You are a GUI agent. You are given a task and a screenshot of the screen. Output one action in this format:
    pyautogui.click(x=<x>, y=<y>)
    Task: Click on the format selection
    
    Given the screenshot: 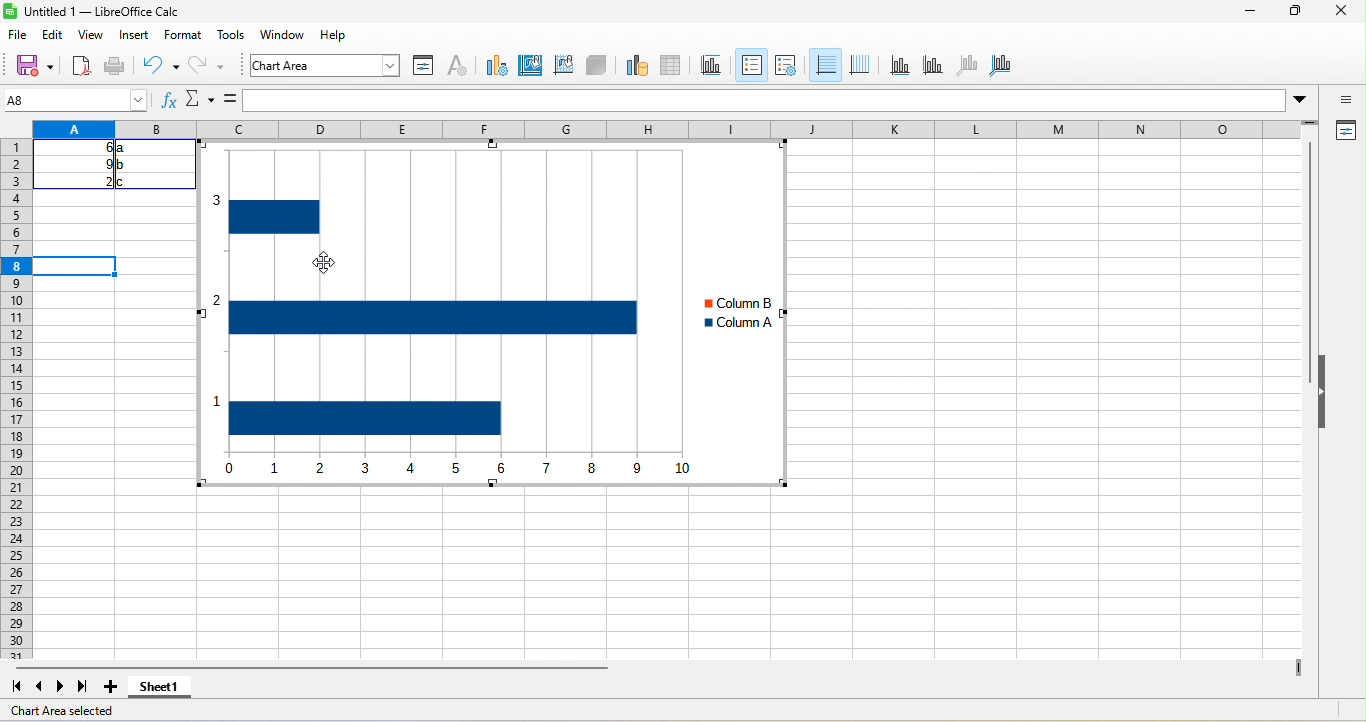 What is the action you would take?
    pyautogui.click(x=422, y=67)
    